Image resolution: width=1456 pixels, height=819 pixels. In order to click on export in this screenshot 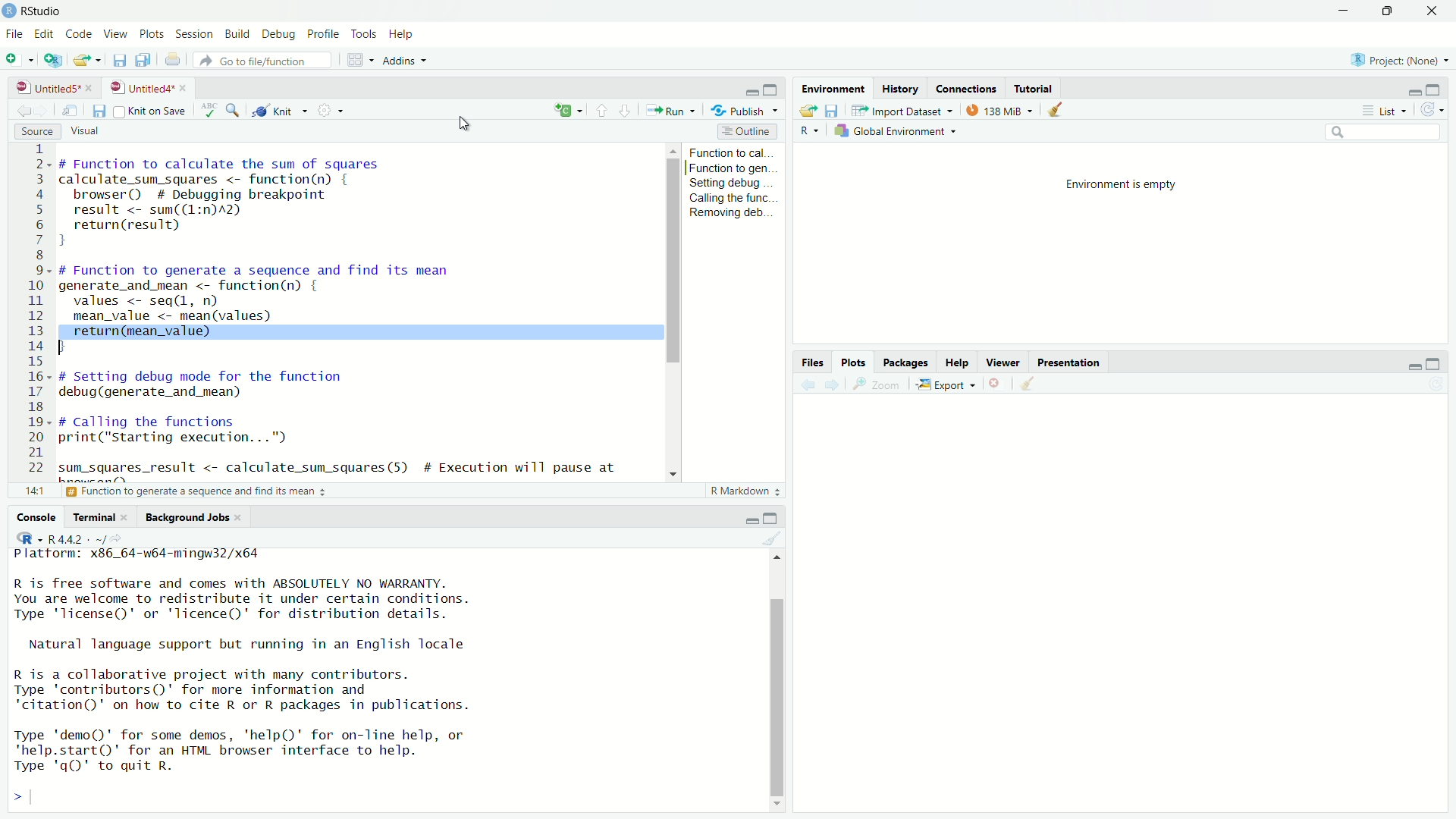, I will do `click(946, 385)`.